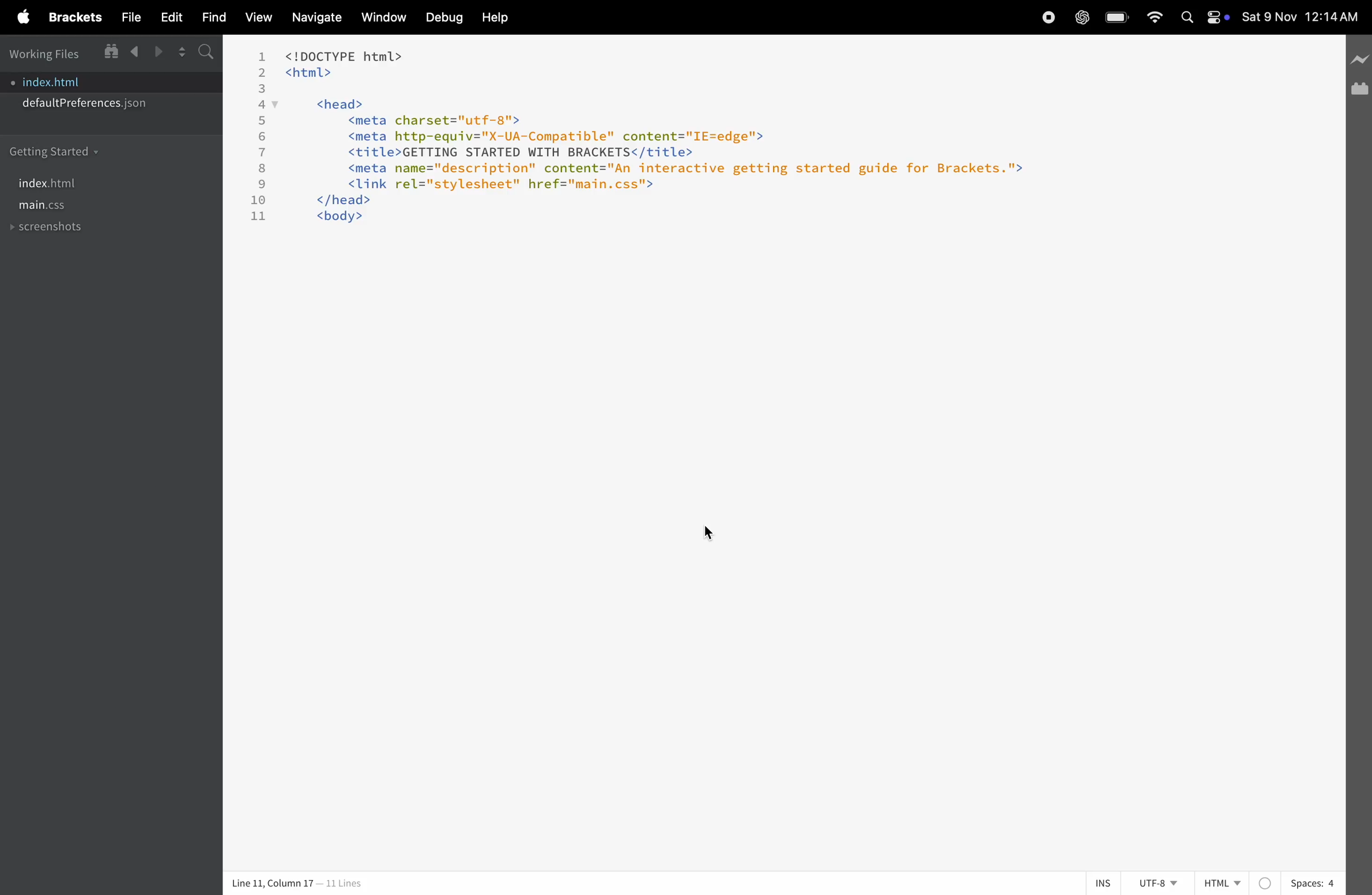  I want to click on default prefrences, so click(109, 105).